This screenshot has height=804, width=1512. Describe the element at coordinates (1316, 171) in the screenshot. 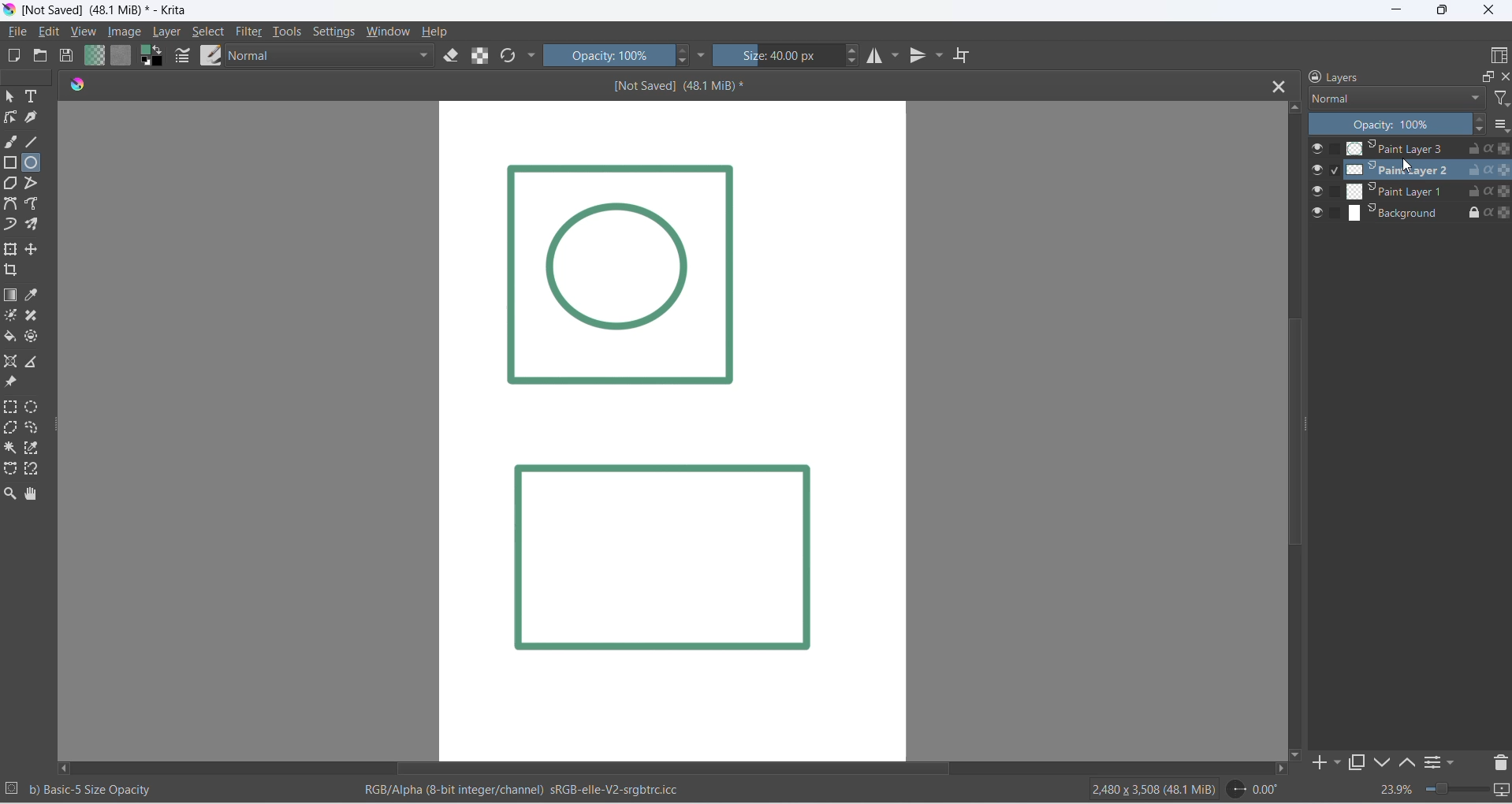

I see `visibilty` at that location.